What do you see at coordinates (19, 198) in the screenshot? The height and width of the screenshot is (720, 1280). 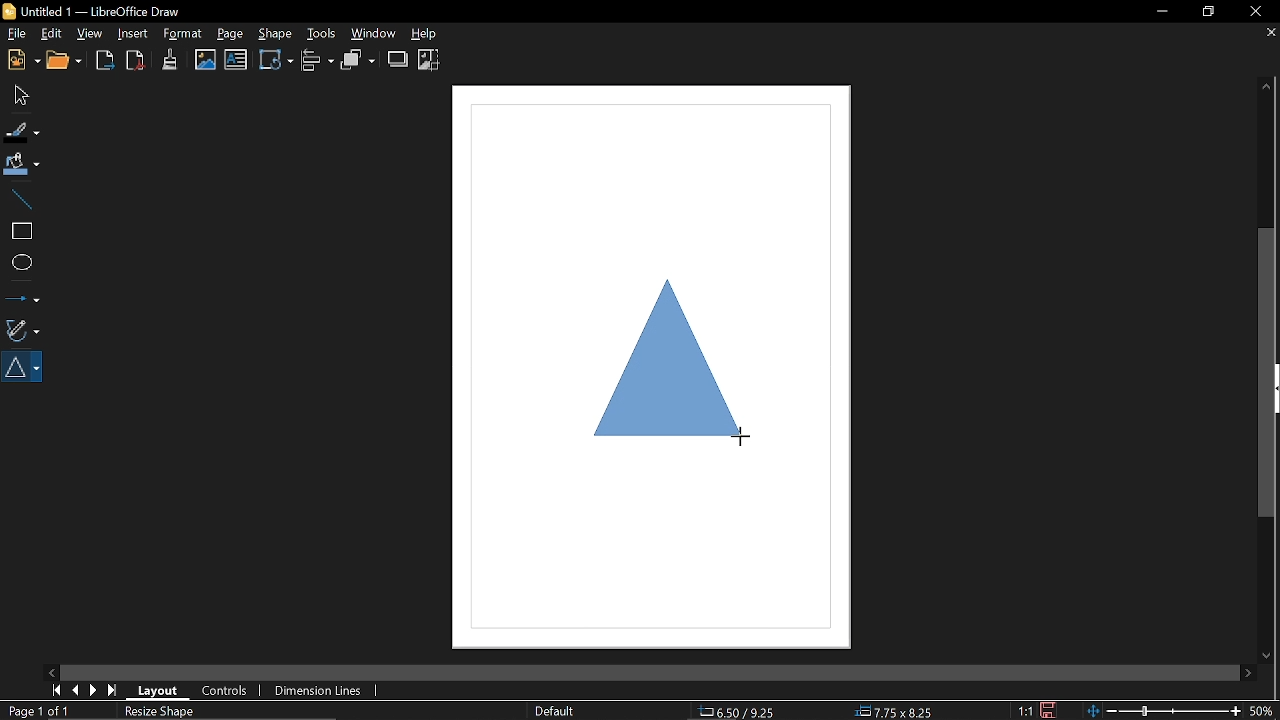 I see `Line` at bounding box center [19, 198].